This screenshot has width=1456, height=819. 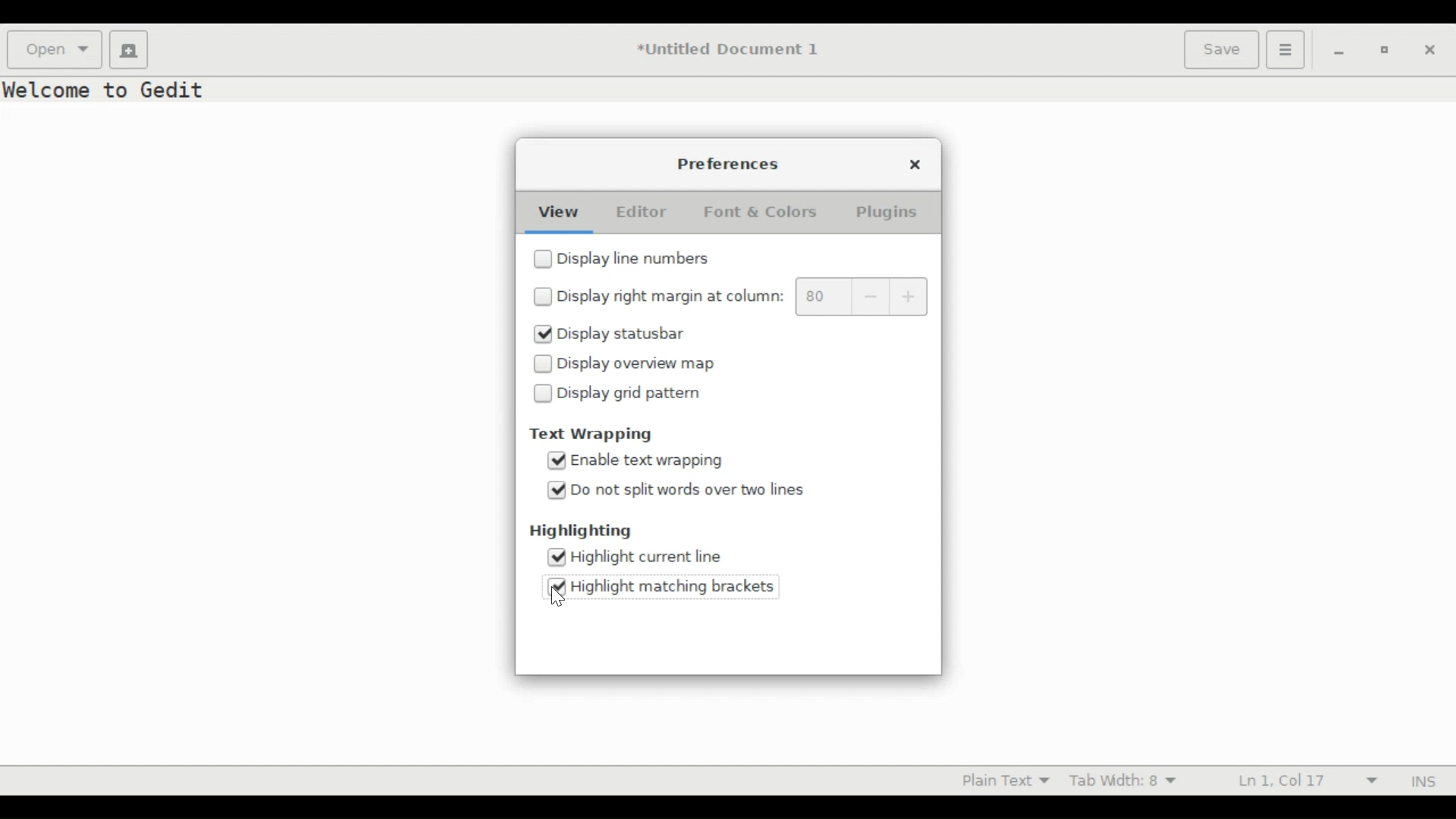 What do you see at coordinates (129, 50) in the screenshot?
I see `Create a new document` at bounding box center [129, 50].